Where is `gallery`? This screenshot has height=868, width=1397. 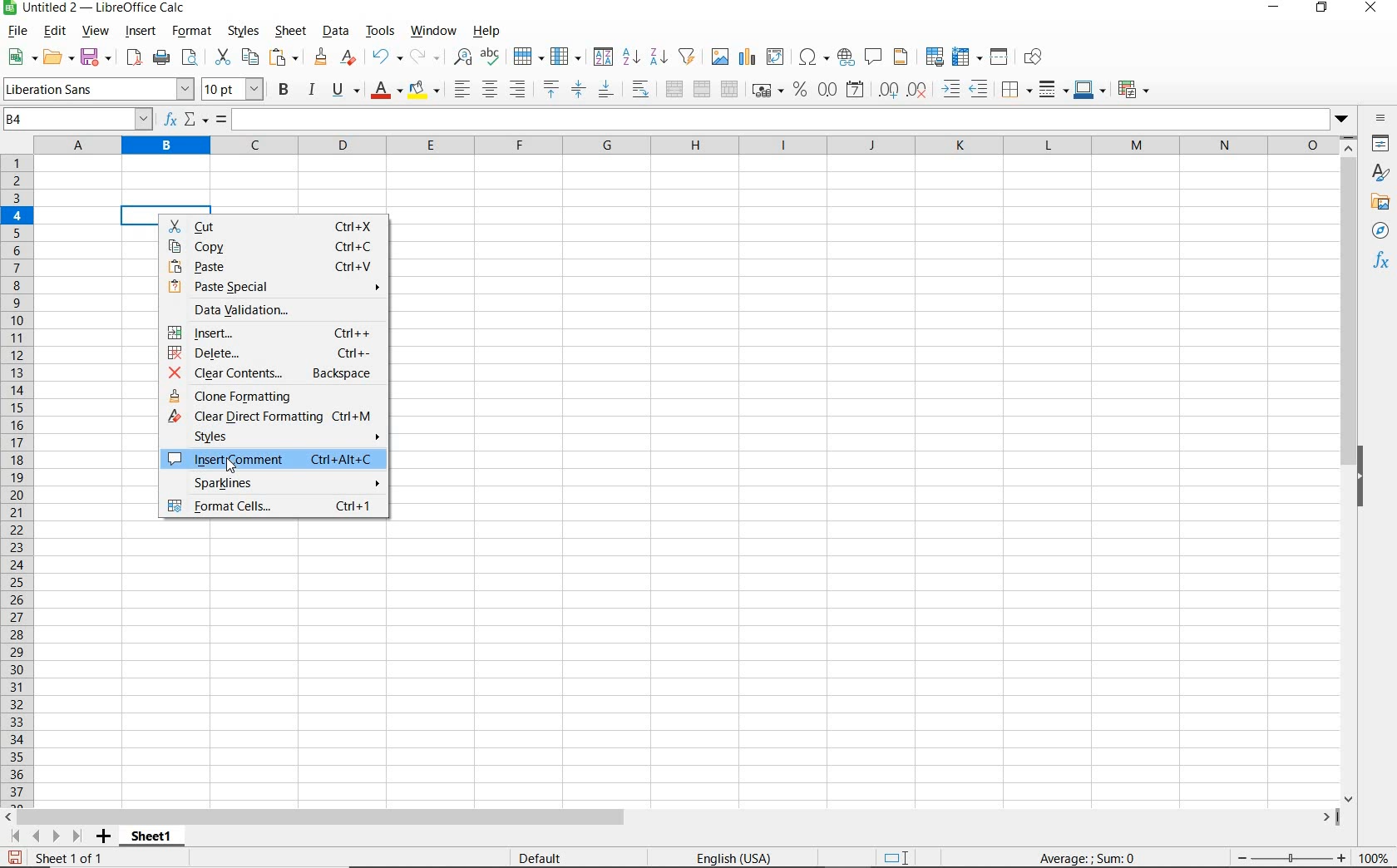
gallery is located at coordinates (1381, 200).